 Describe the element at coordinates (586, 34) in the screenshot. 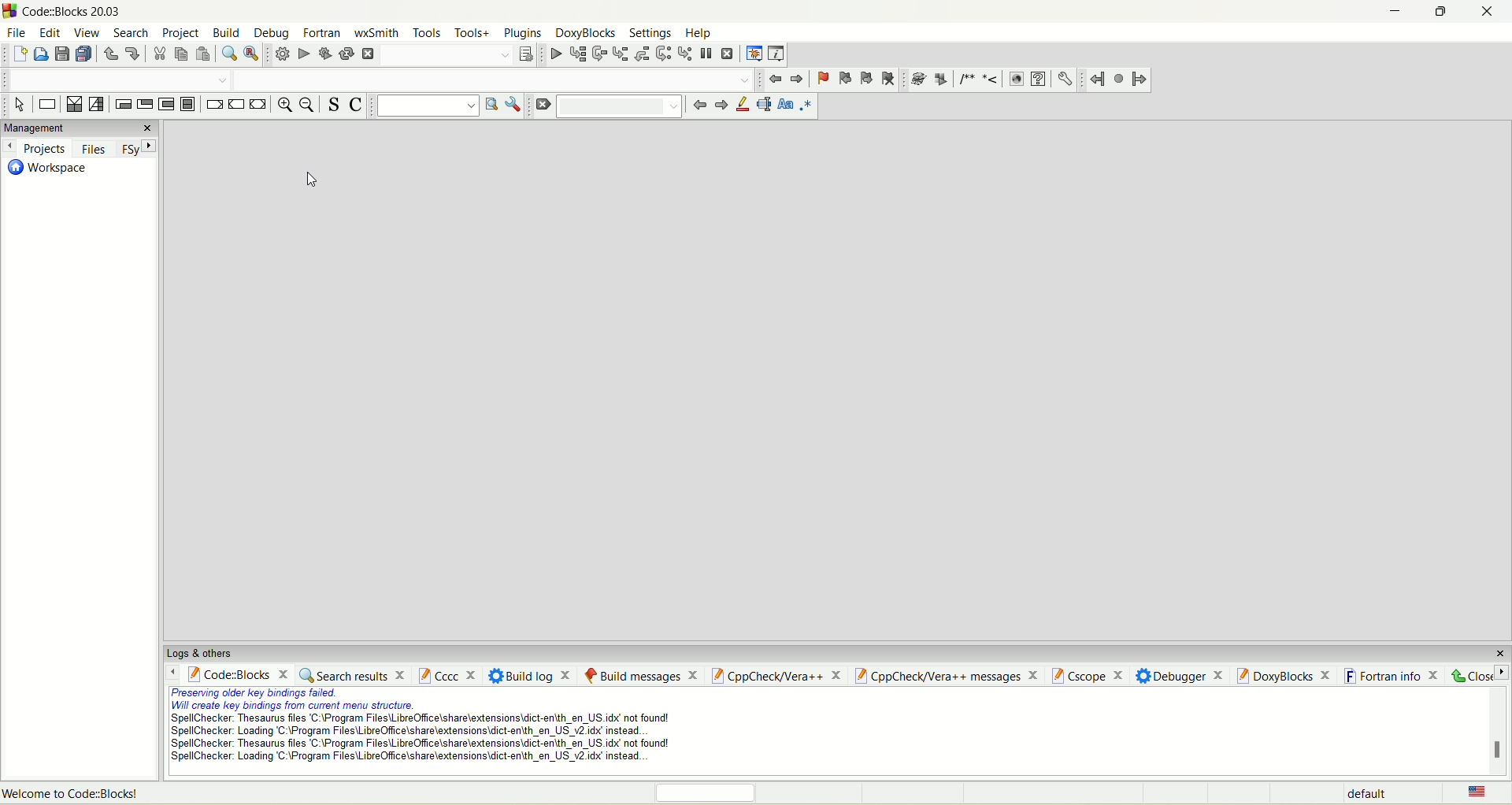

I see `doxyblocks` at that location.